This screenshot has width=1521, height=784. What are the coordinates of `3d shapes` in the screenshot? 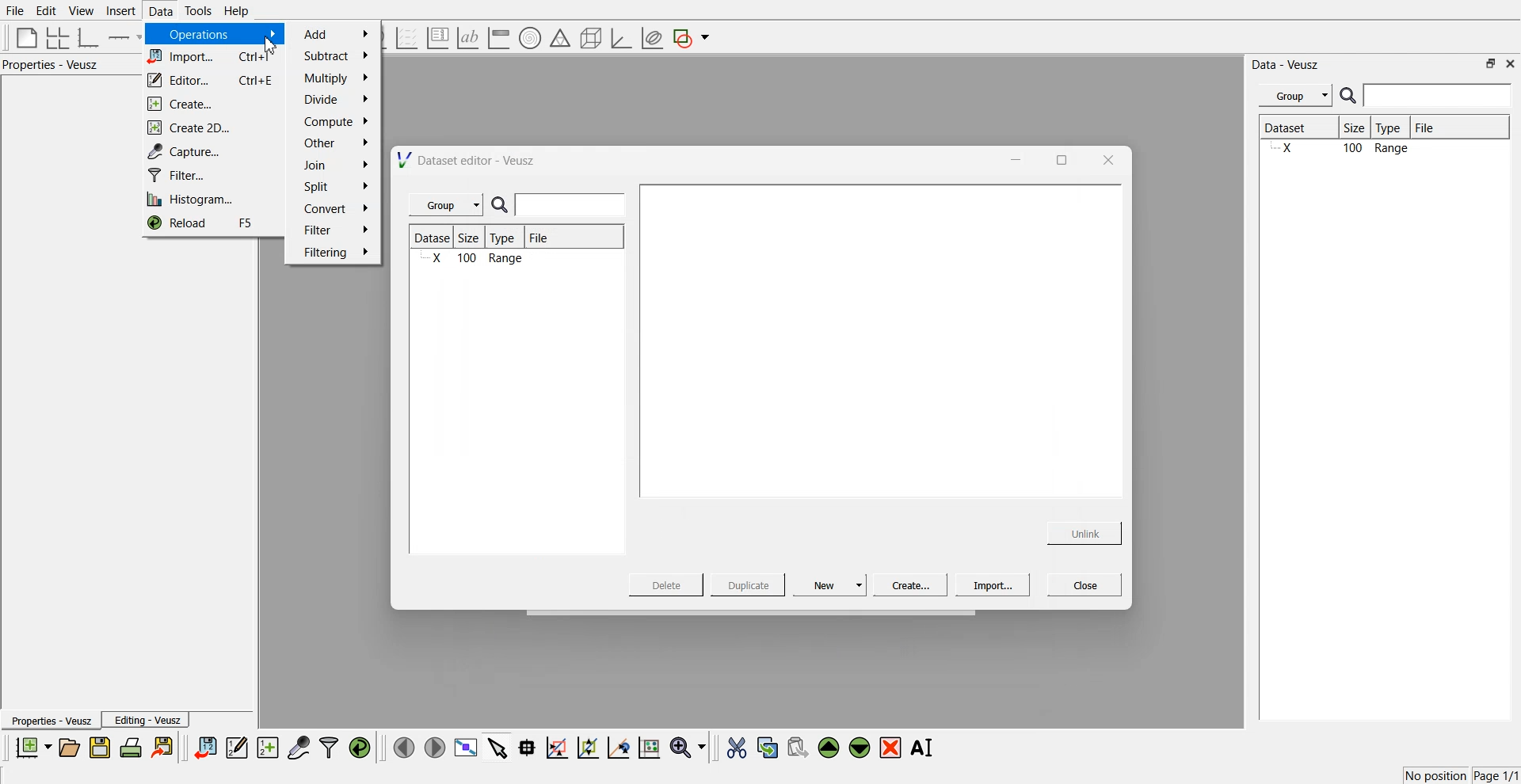 It's located at (588, 38).